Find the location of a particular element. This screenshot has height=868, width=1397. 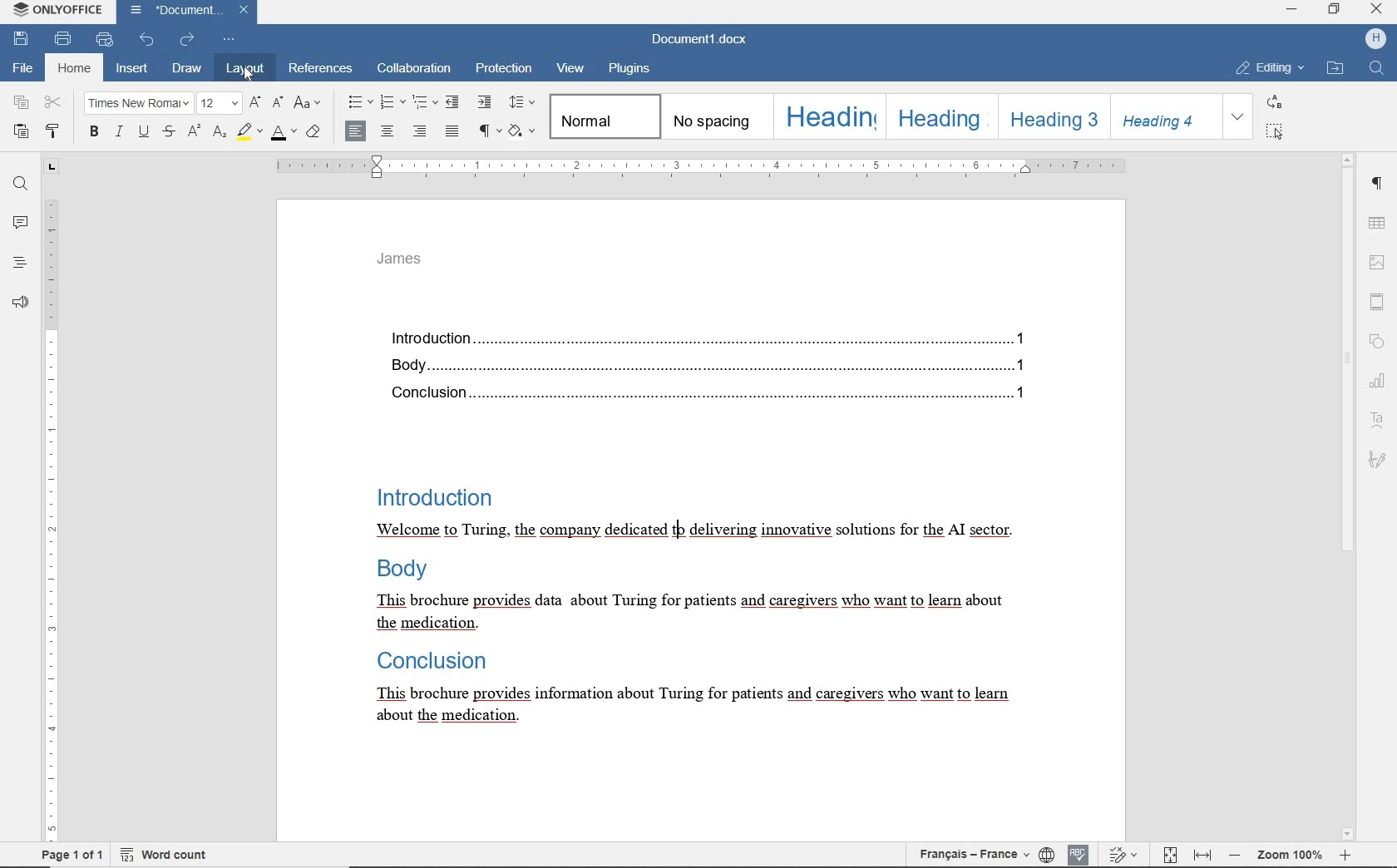

feedback & support is located at coordinates (18, 303).